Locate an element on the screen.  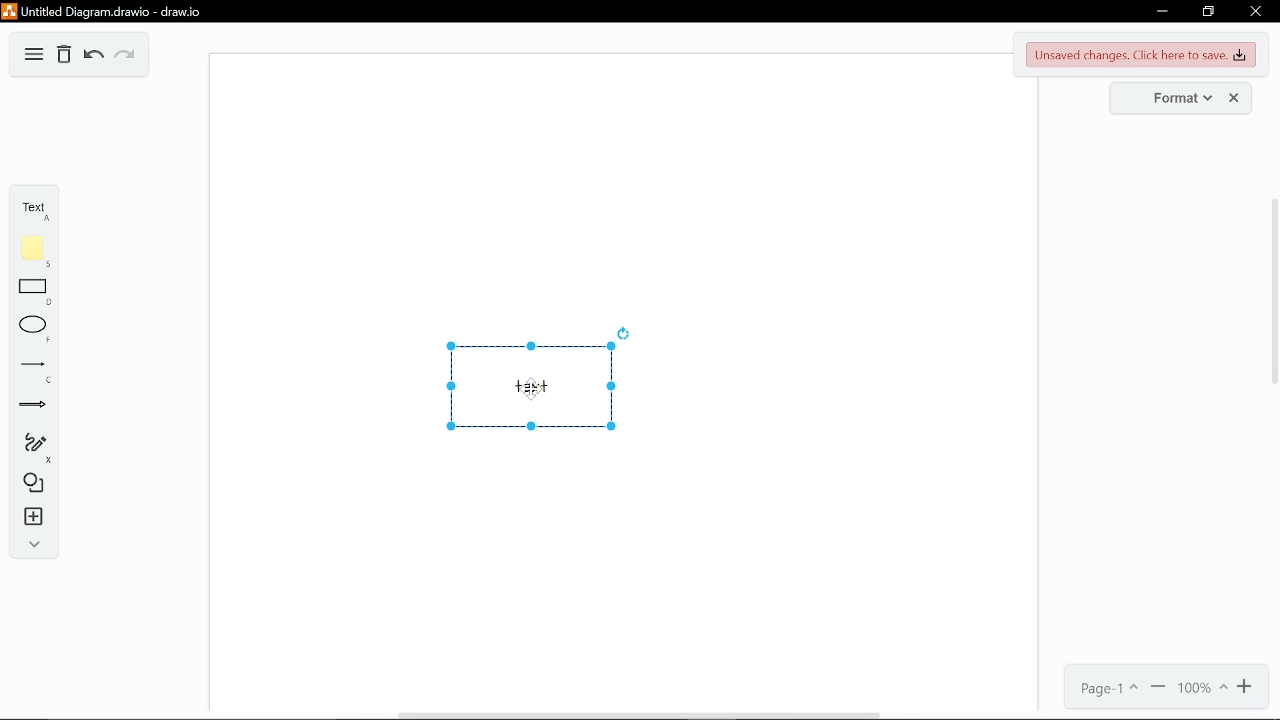
rectangle is located at coordinates (28, 292).